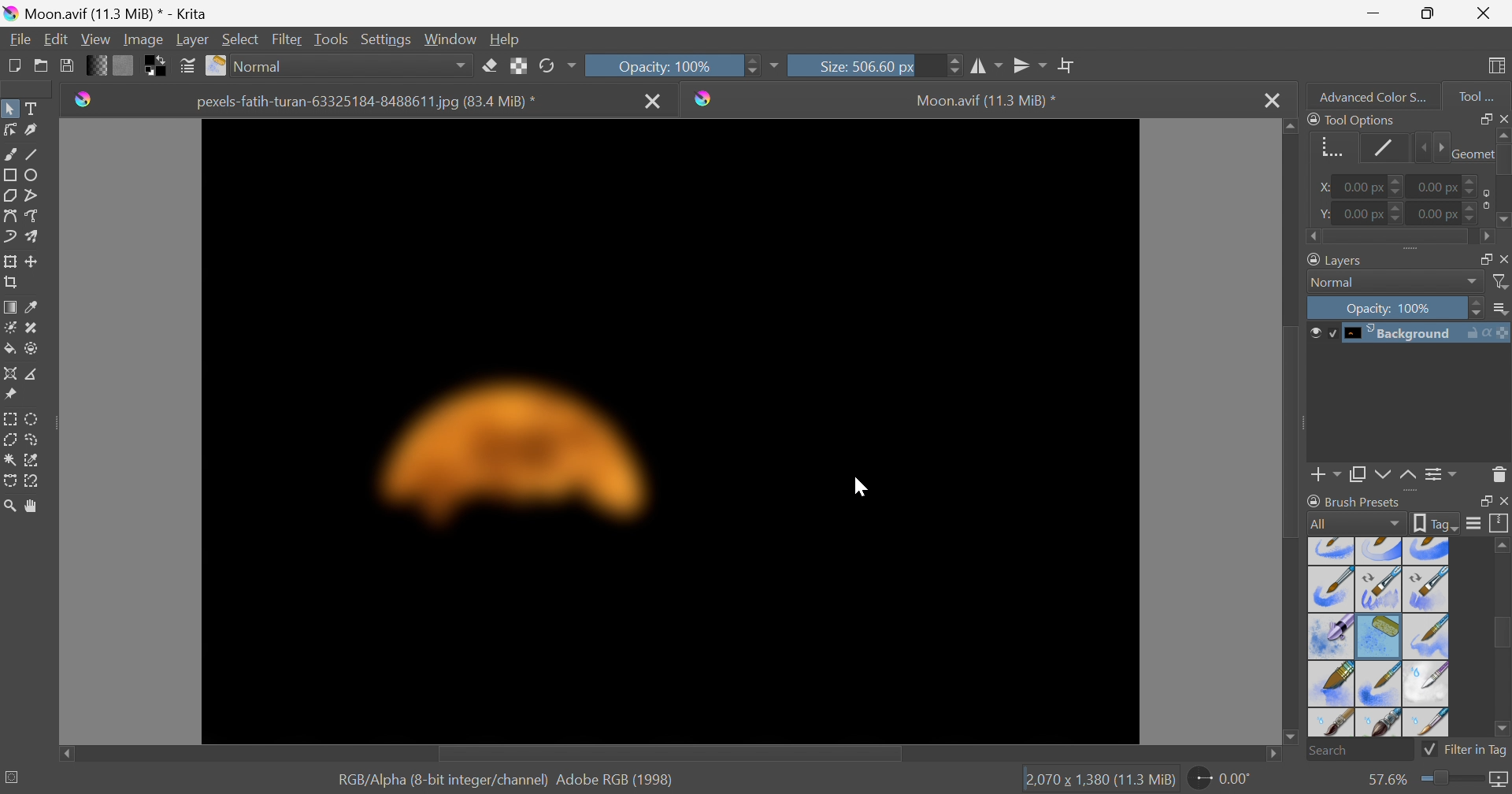 Image resolution: width=1512 pixels, height=794 pixels. What do you see at coordinates (1289, 126) in the screenshot?
I see `Scroll up` at bounding box center [1289, 126].